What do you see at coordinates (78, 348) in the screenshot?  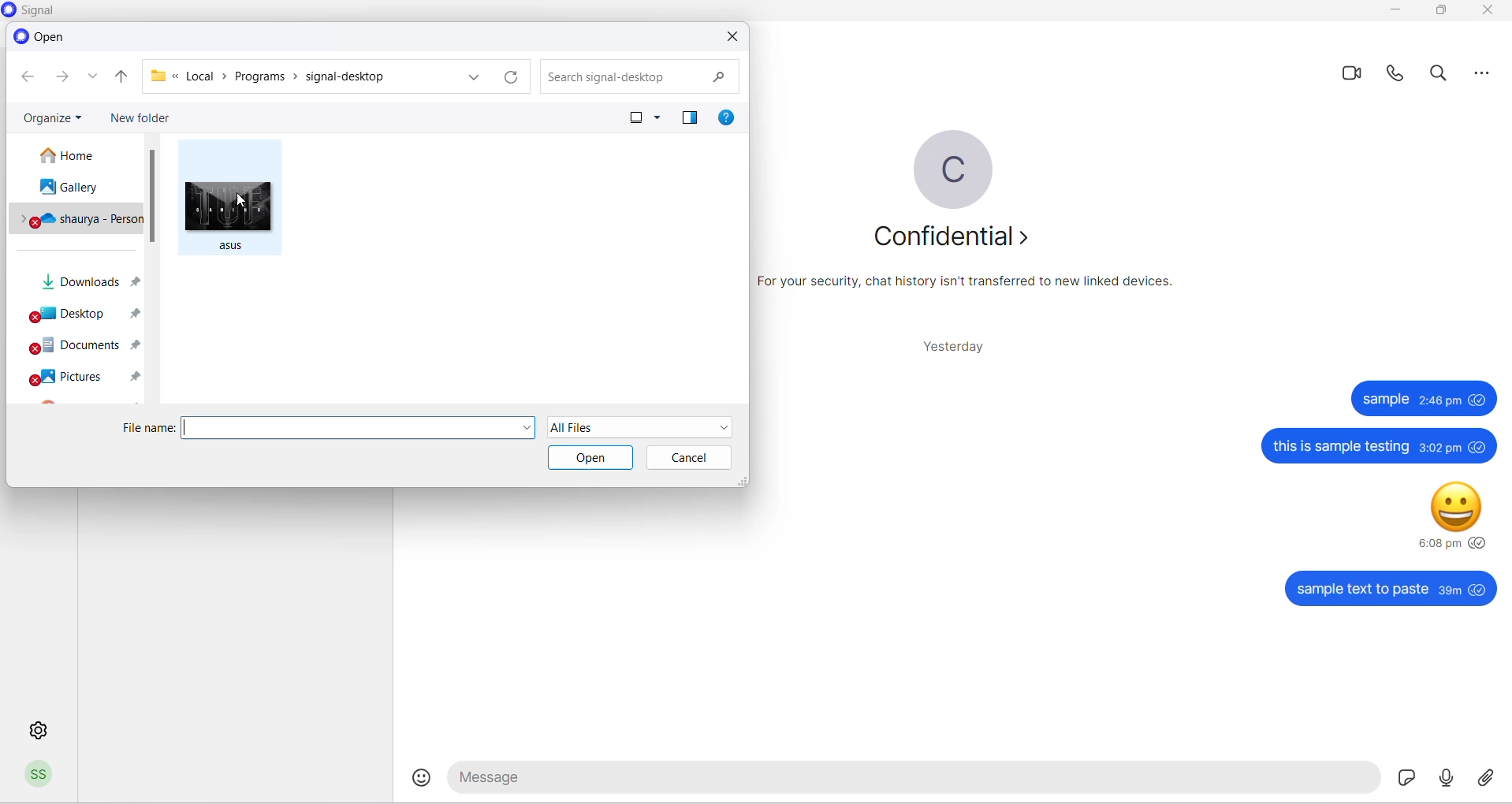 I see `documents` at bounding box center [78, 348].